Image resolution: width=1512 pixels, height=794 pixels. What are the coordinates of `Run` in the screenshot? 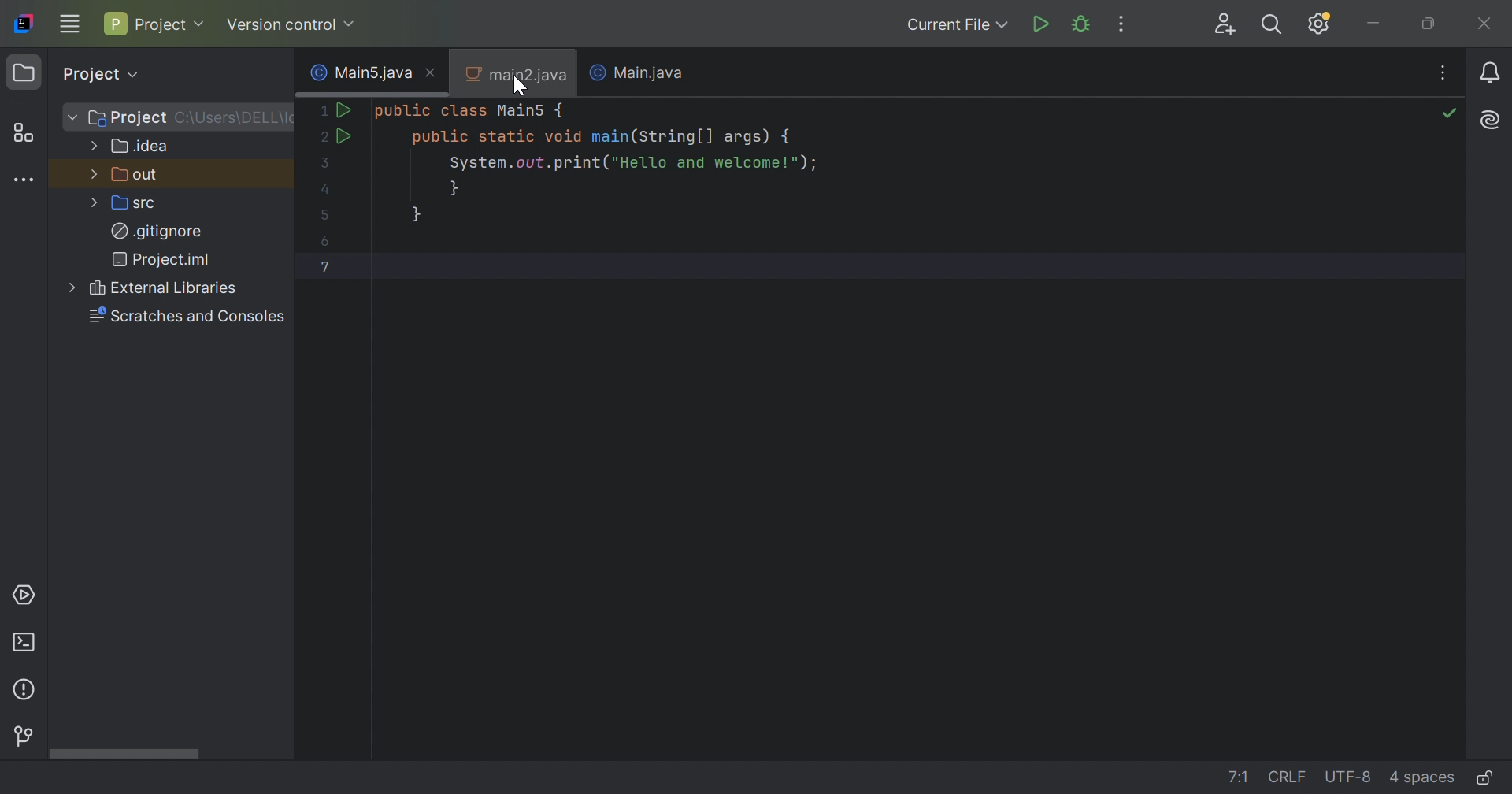 It's located at (1042, 21).